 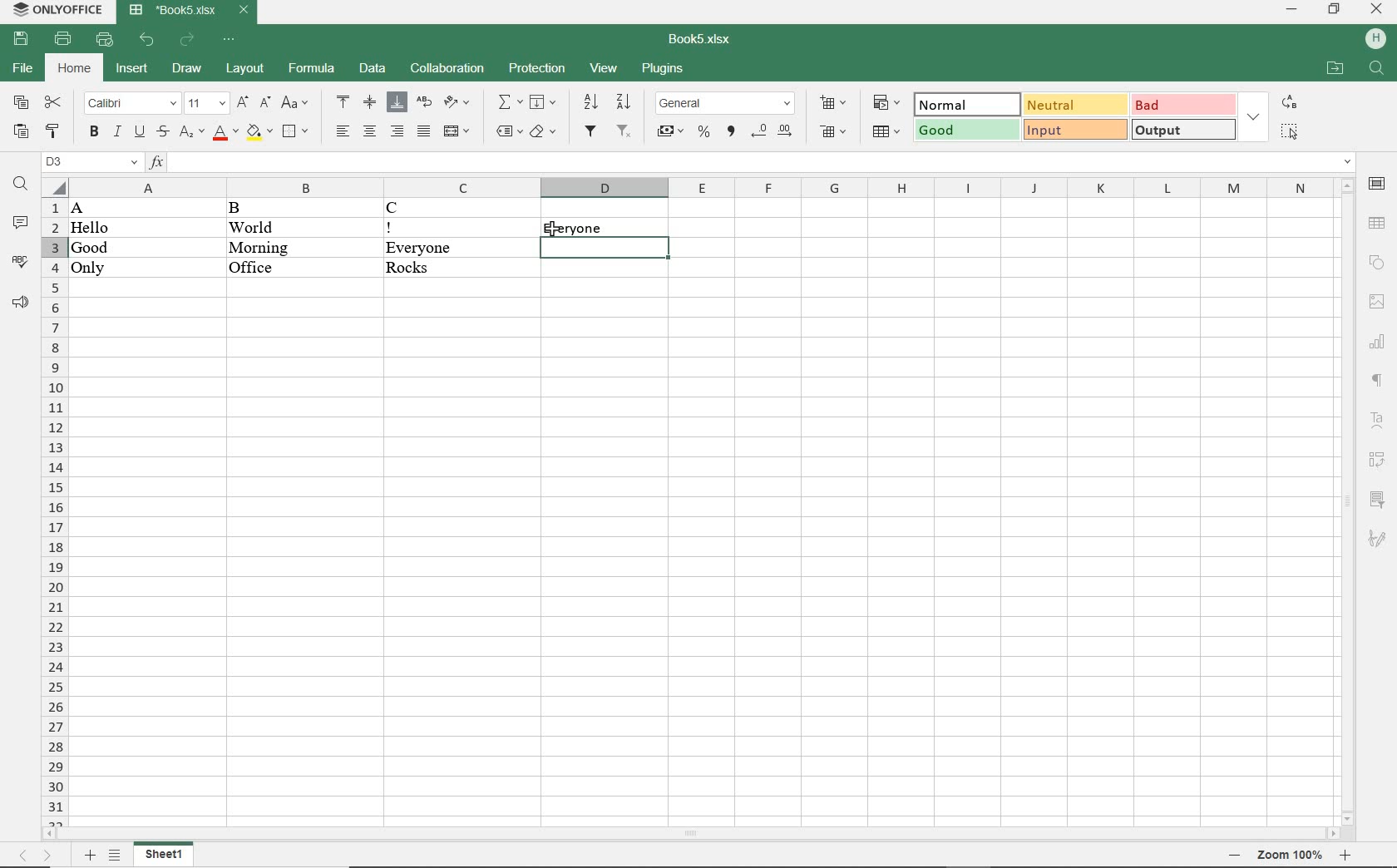 What do you see at coordinates (21, 304) in the screenshot?
I see `feedback & support` at bounding box center [21, 304].